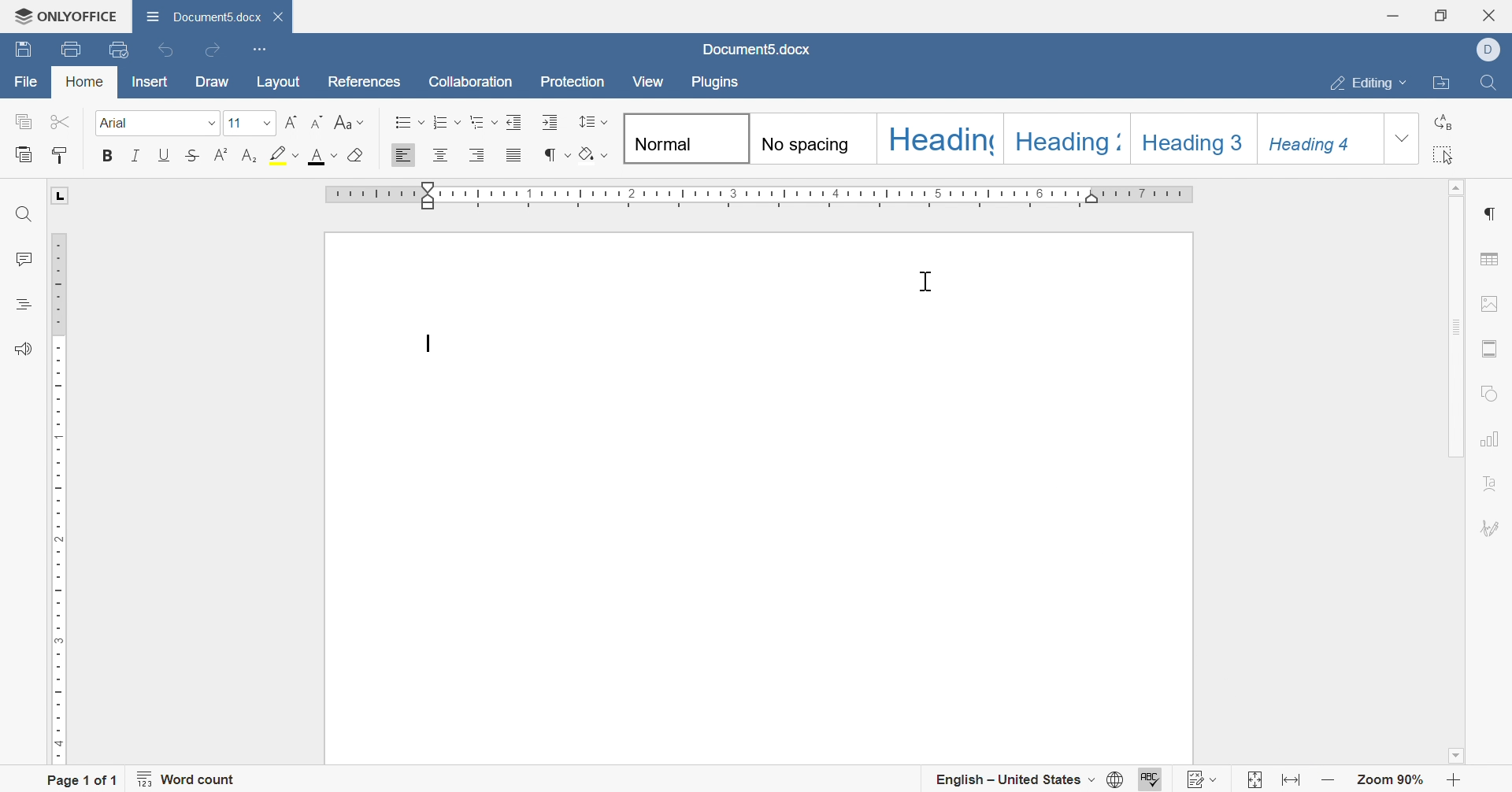  What do you see at coordinates (20, 155) in the screenshot?
I see `paste` at bounding box center [20, 155].